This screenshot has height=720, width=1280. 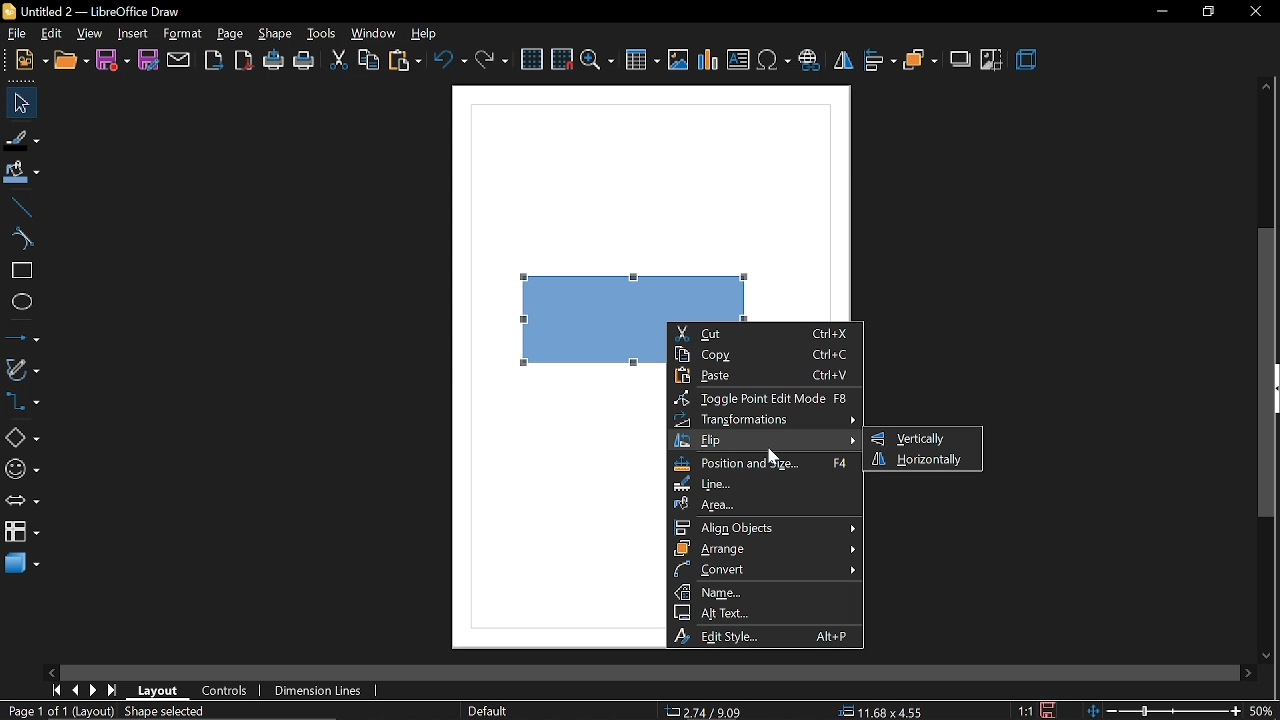 What do you see at coordinates (182, 33) in the screenshot?
I see `format` at bounding box center [182, 33].